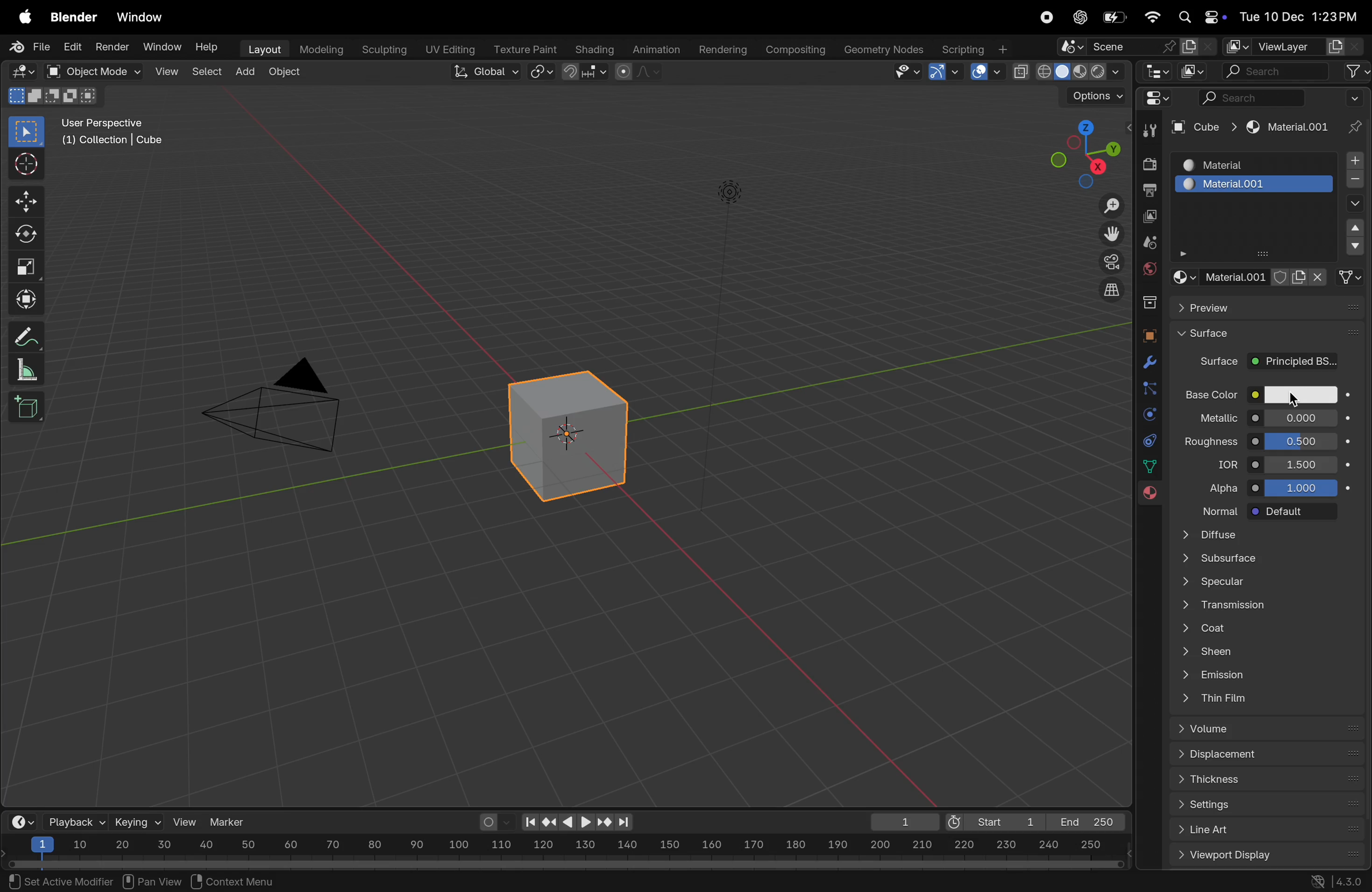  I want to click on surface, so click(1270, 335).